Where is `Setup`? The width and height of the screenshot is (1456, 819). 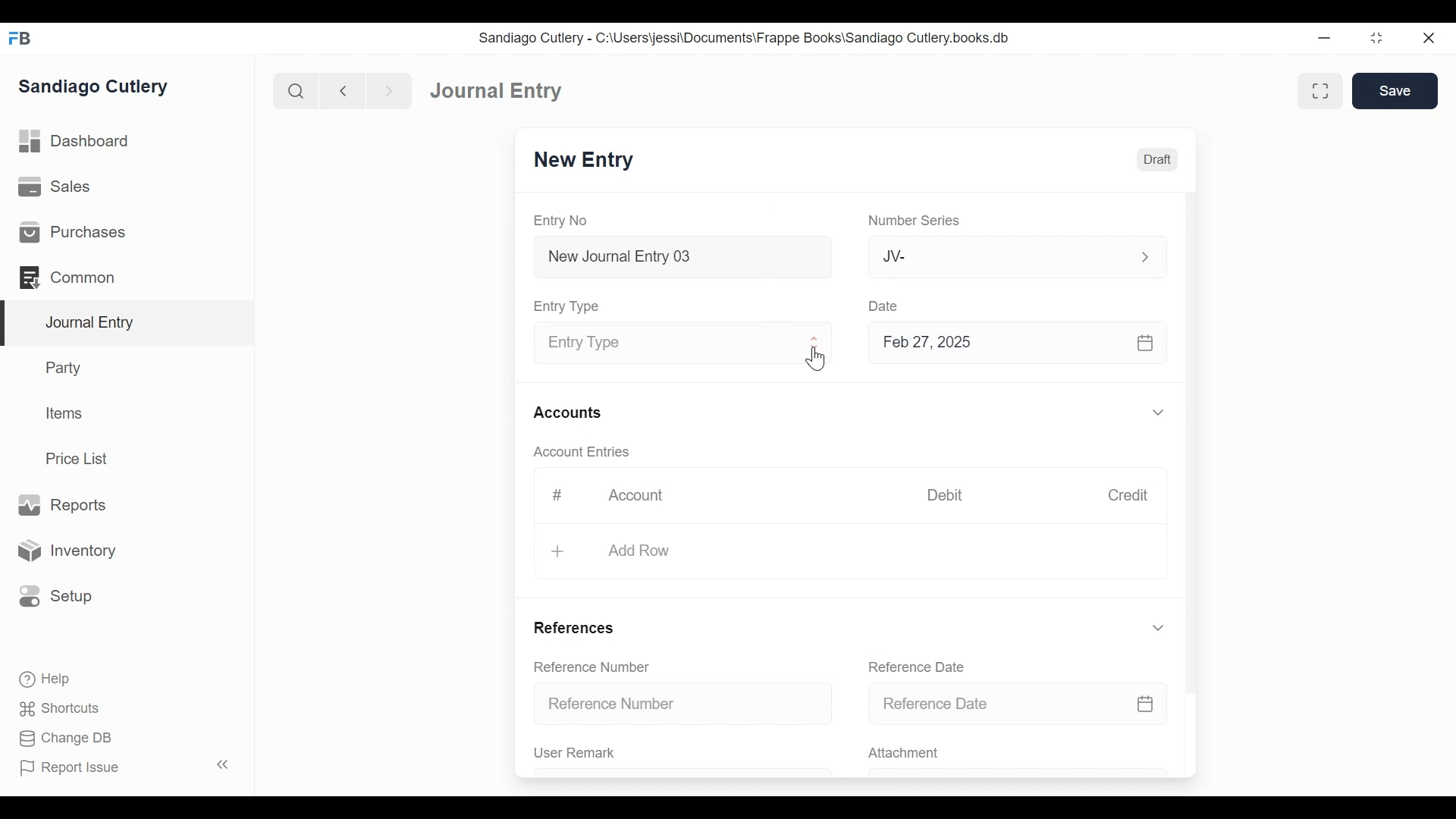
Setup is located at coordinates (56, 597).